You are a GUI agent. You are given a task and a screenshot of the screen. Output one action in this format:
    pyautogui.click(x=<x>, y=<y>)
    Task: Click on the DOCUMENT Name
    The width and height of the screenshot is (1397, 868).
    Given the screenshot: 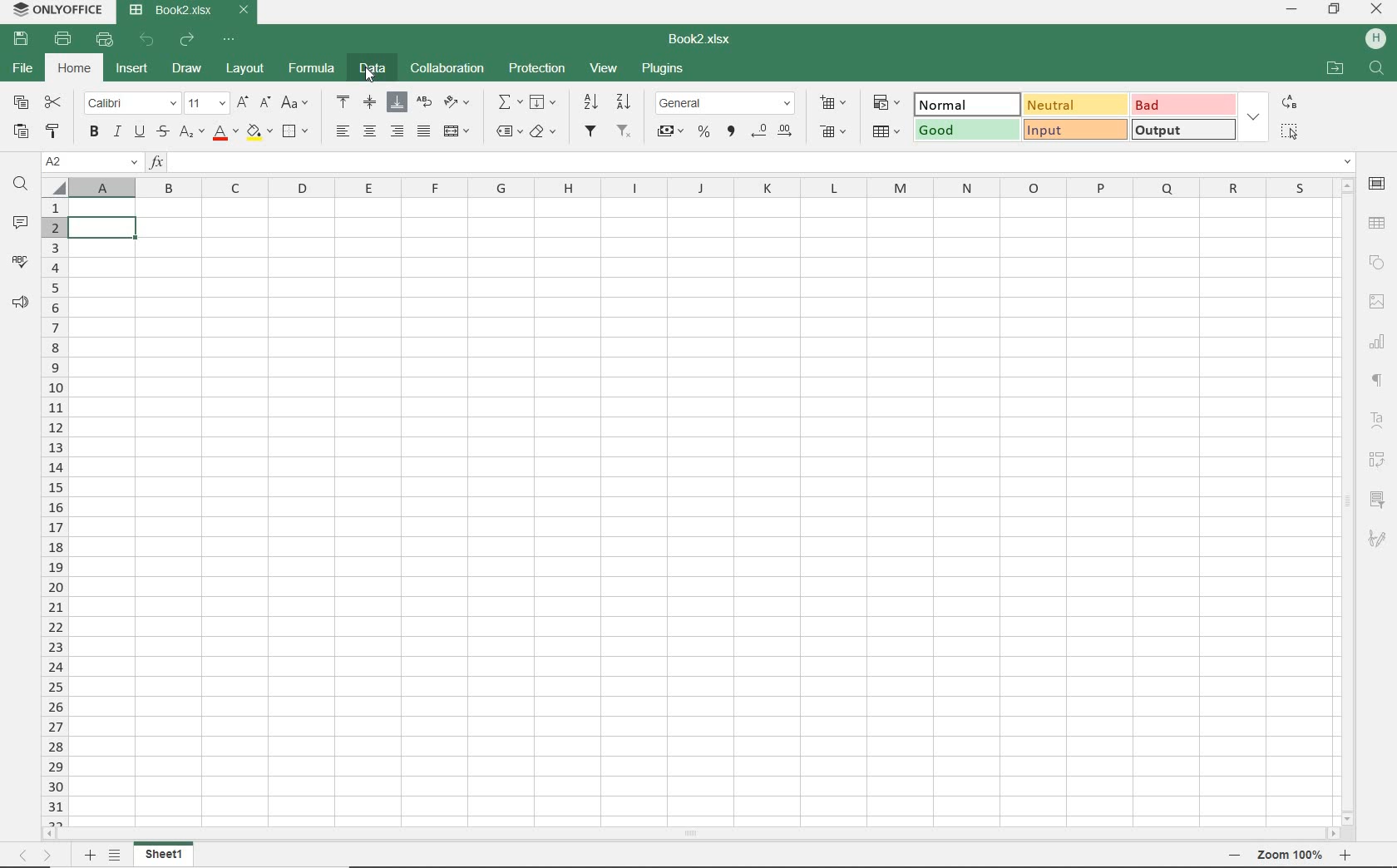 What is the action you would take?
    pyautogui.click(x=171, y=11)
    